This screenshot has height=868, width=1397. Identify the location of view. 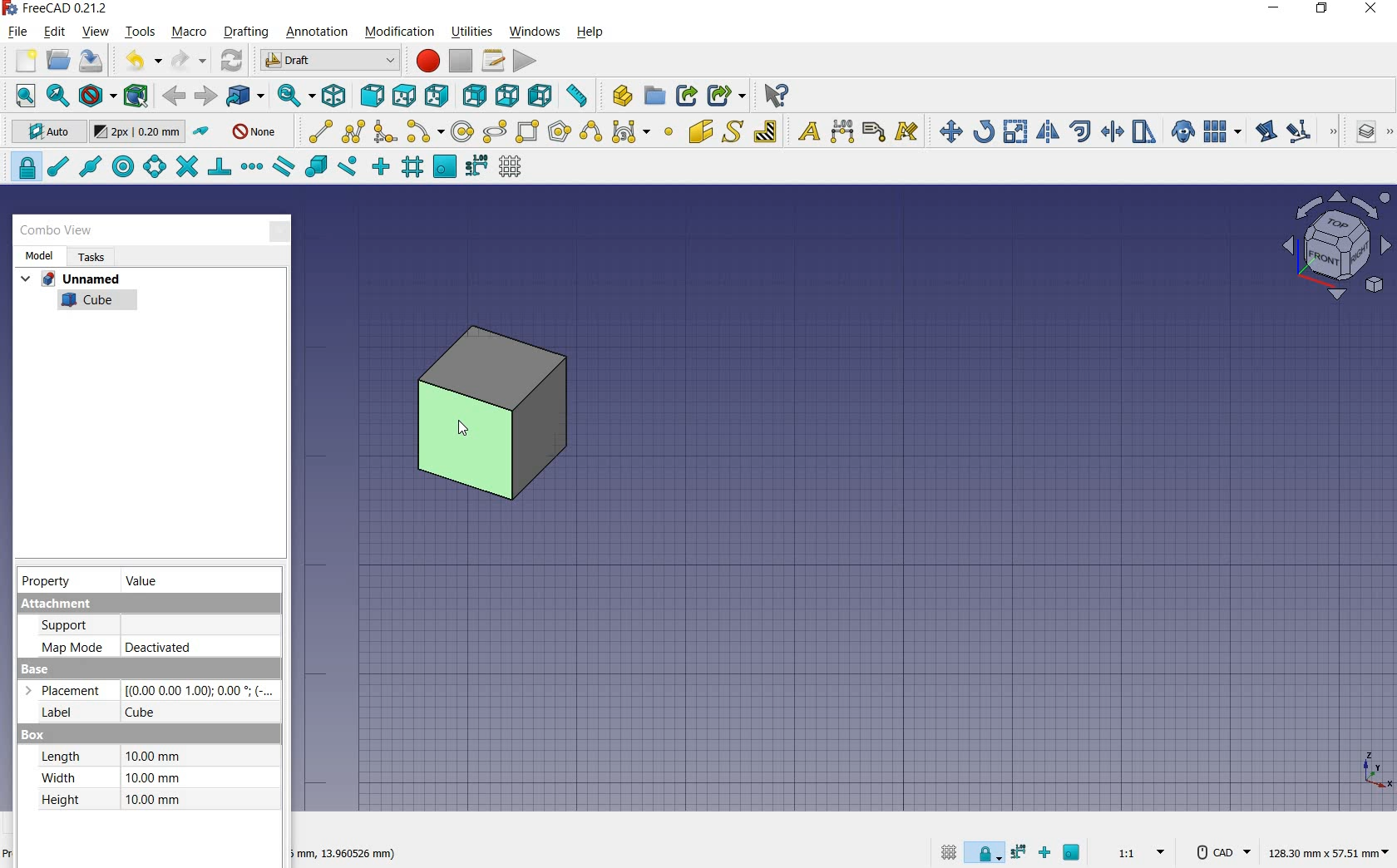
(96, 31).